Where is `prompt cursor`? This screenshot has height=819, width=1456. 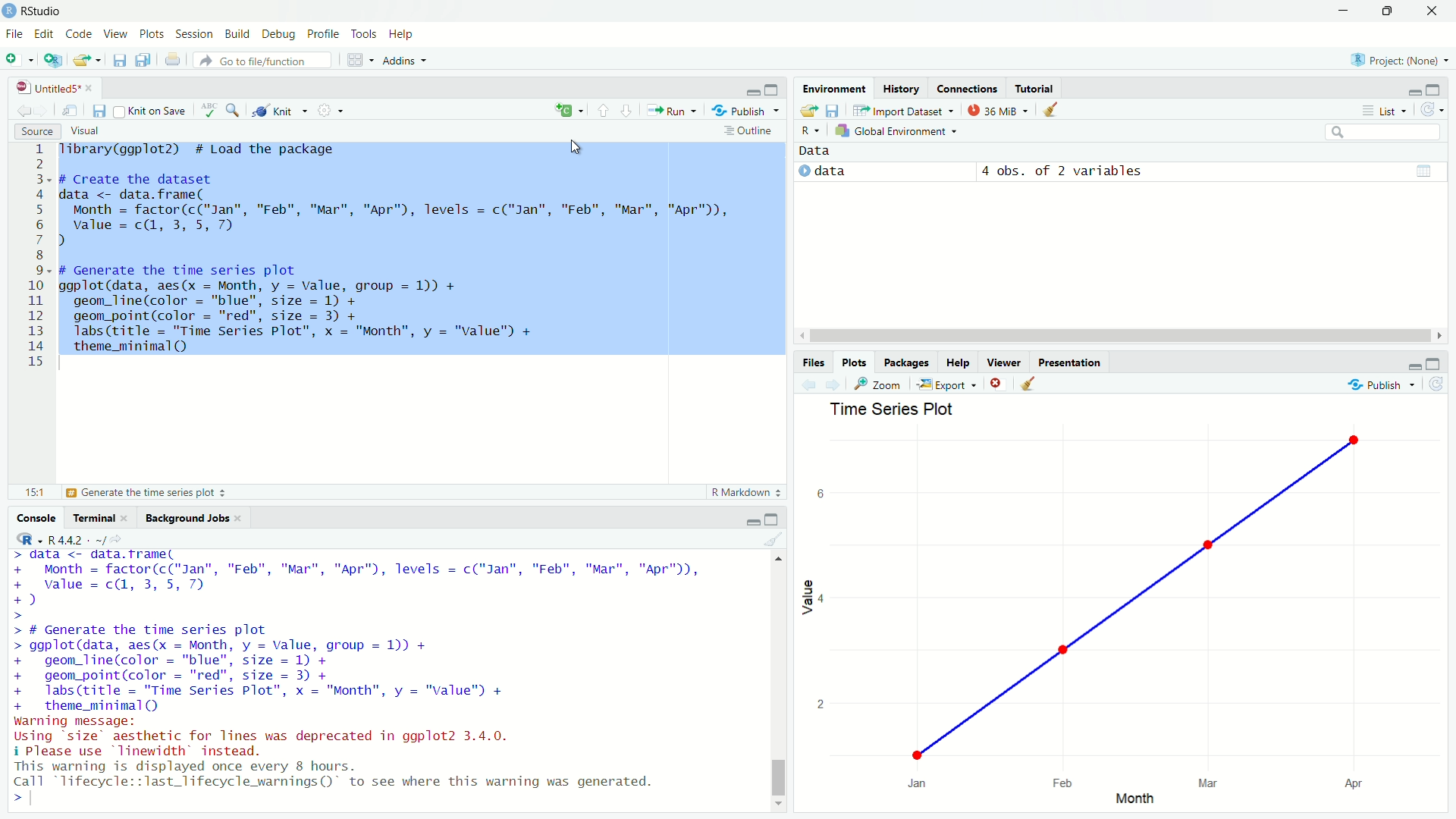 prompt cursor is located at coordinates (10, 797).